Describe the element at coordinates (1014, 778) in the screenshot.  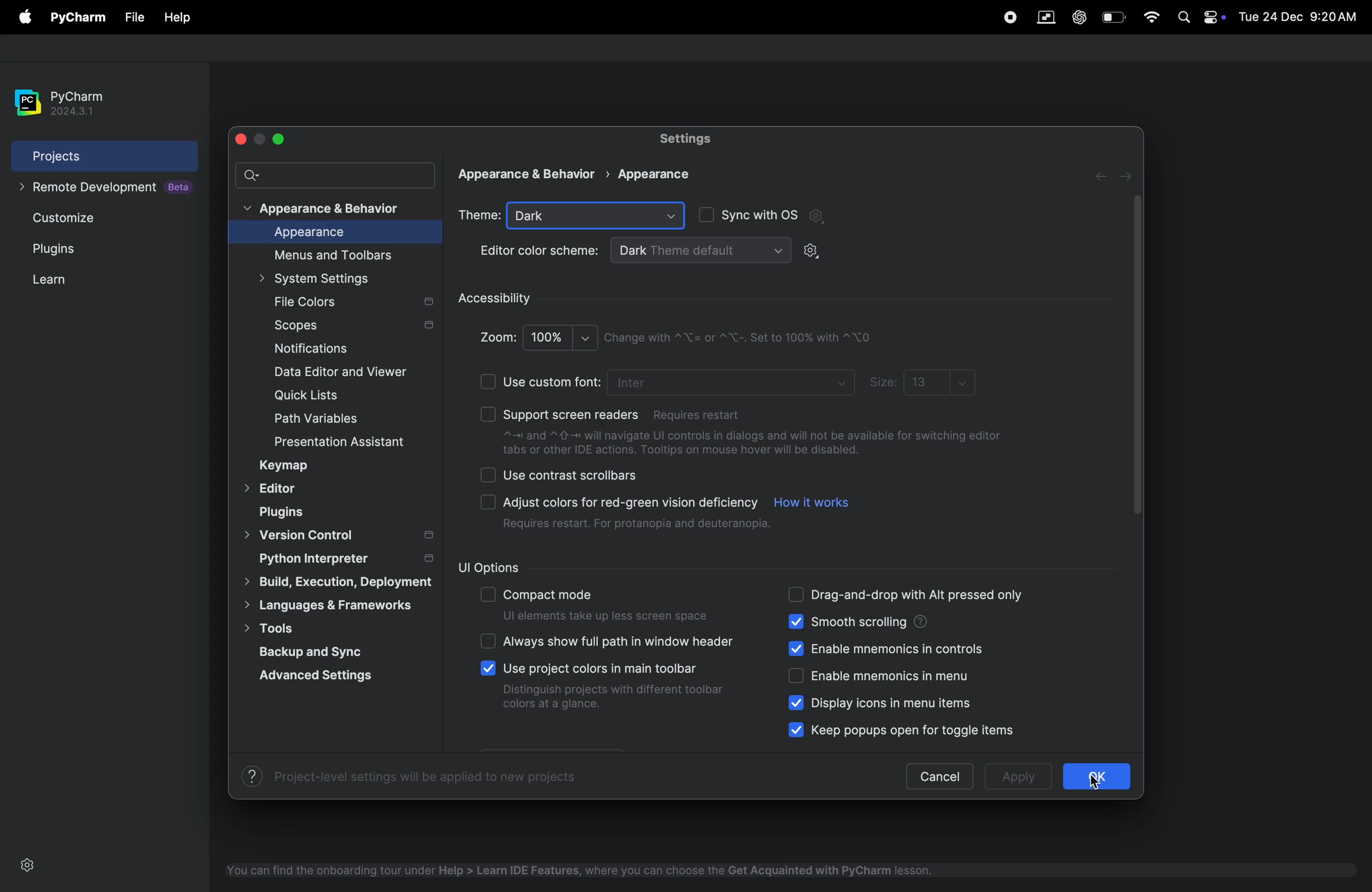
I see `apply` at that location.